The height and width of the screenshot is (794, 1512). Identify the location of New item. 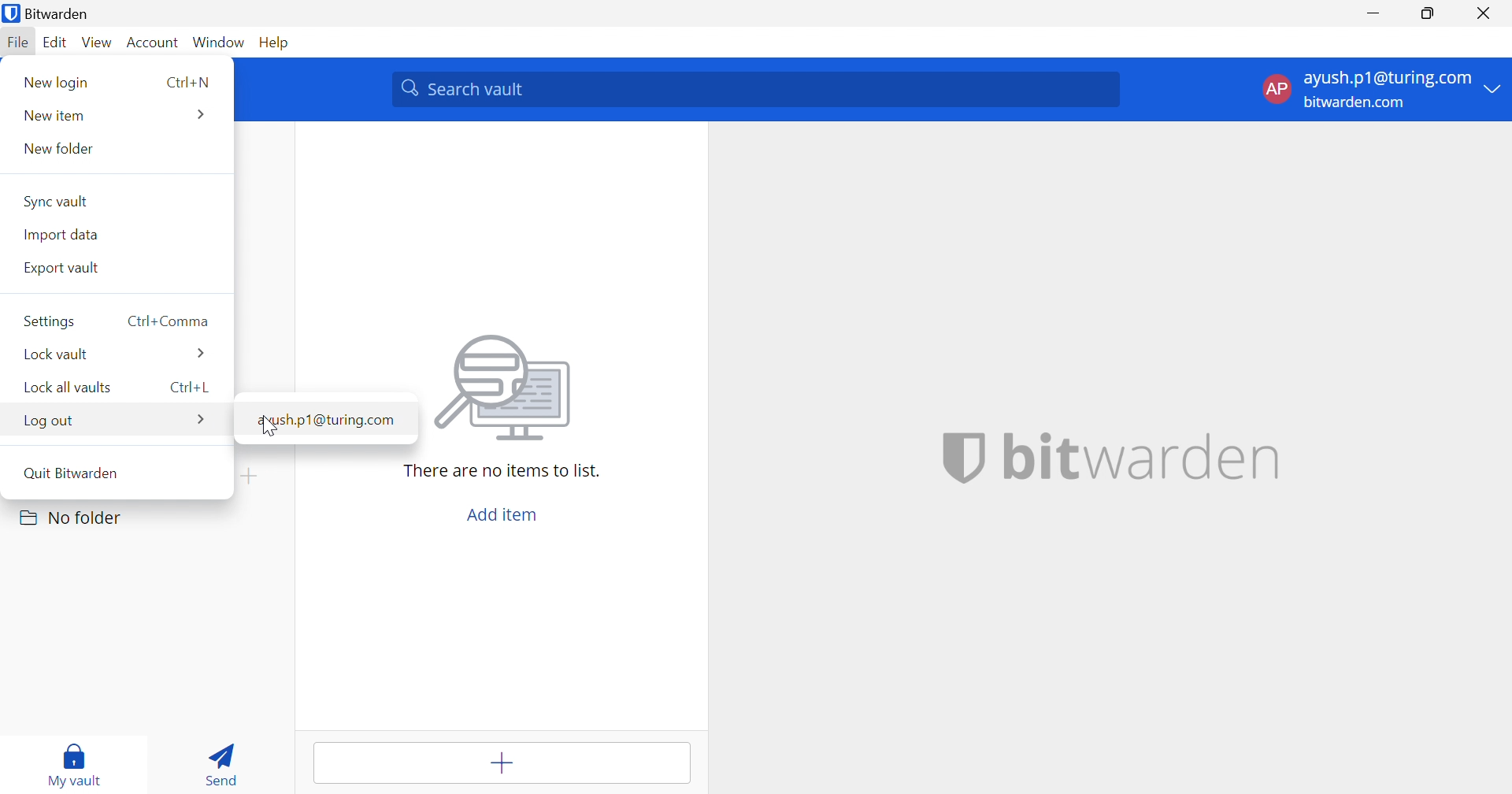
(53, 117).